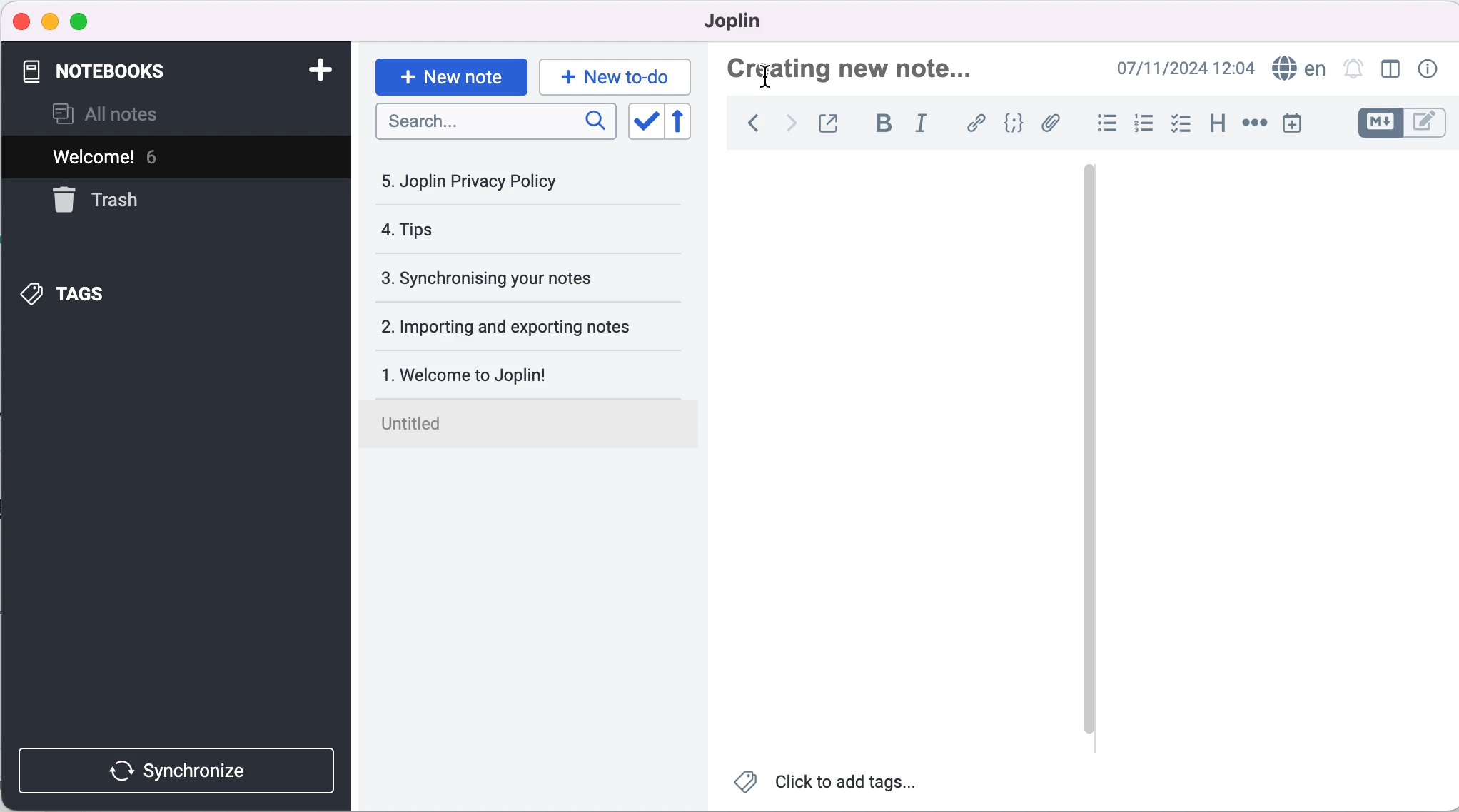 Image resolution: width=1459 pixels, height=812 pixels. What do you see at coordinates (1144, 126) in the screenshot?
I see `numbered list` at bounding box center [1144, 126].